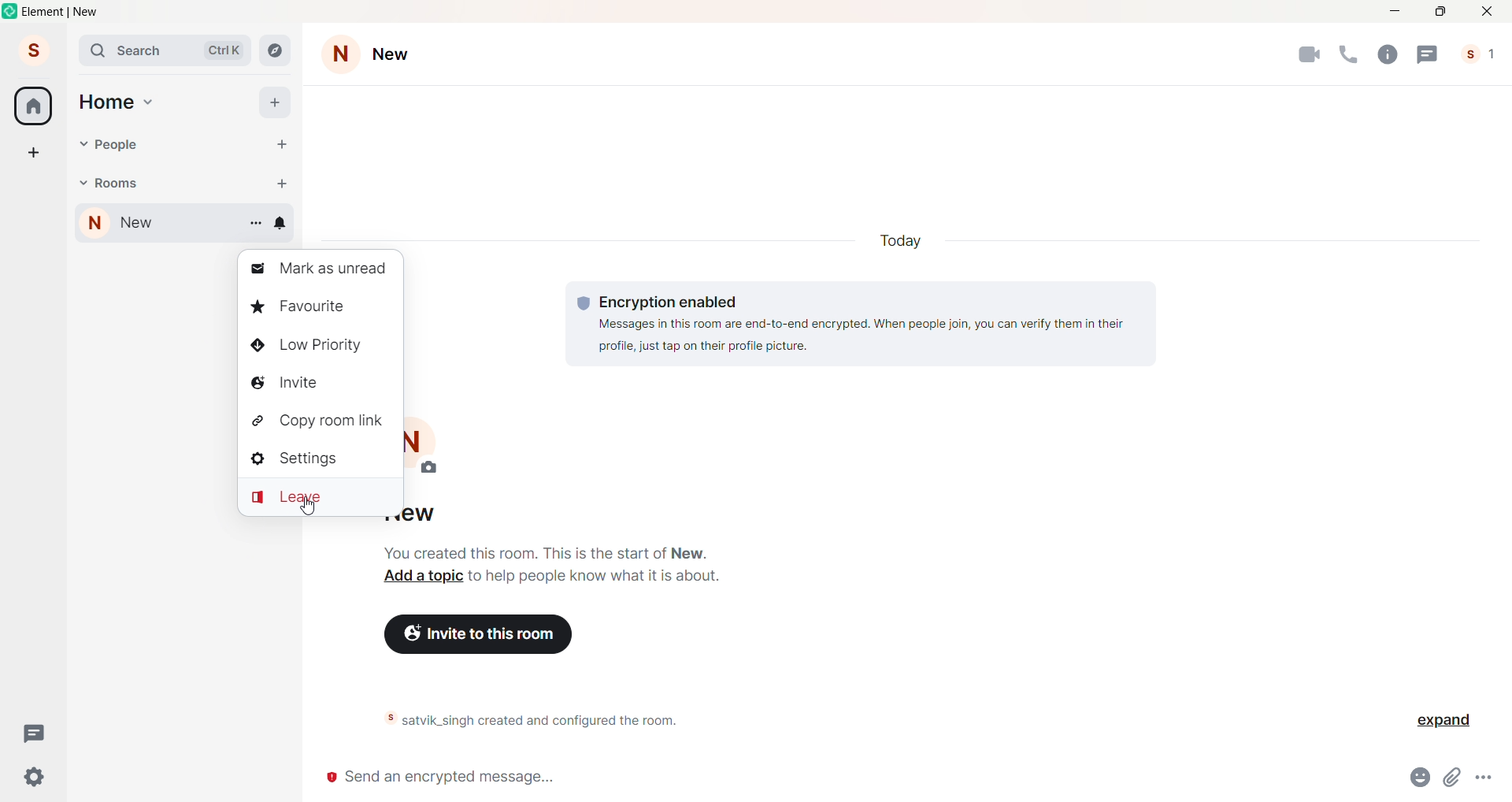 This screenshot has width=1512, height=802. What do you see at coordinates (1352, 54) in the screenshot?
I see `Audio Call` at bounding box center [1352, 54].